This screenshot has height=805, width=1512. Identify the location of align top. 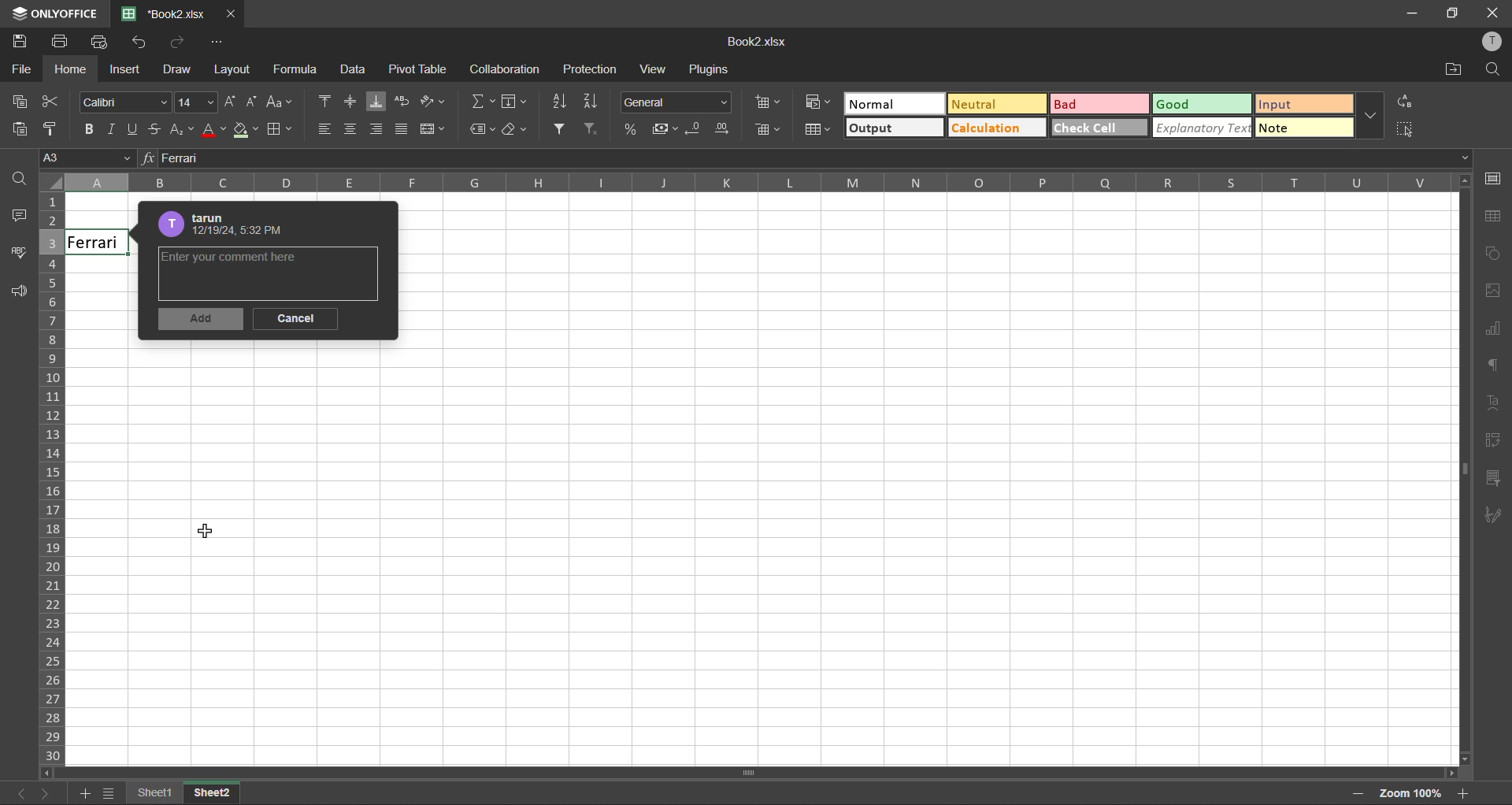
(322, 103).